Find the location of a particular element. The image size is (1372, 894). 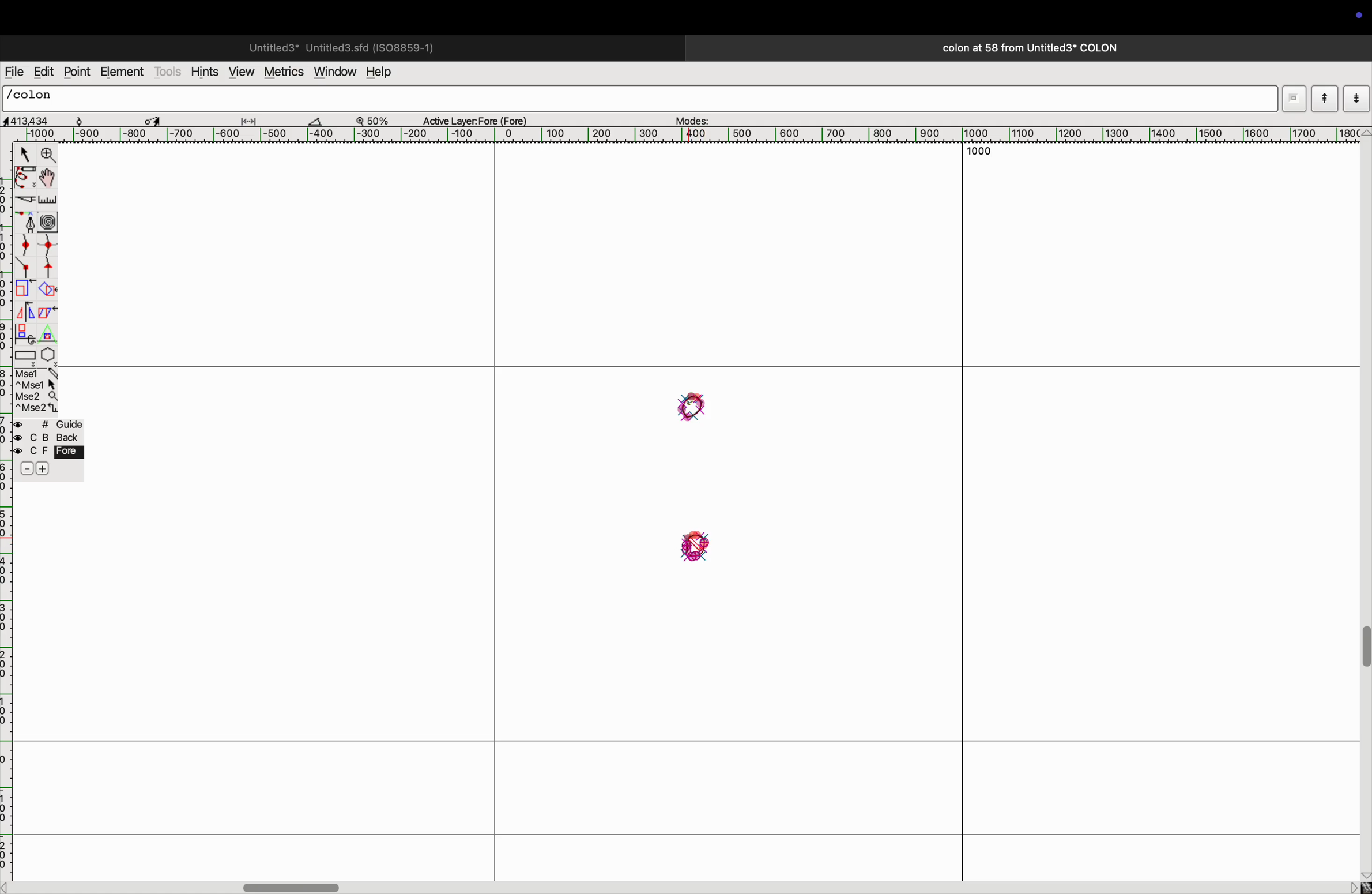

zoom is located at coordinates (49, 155).